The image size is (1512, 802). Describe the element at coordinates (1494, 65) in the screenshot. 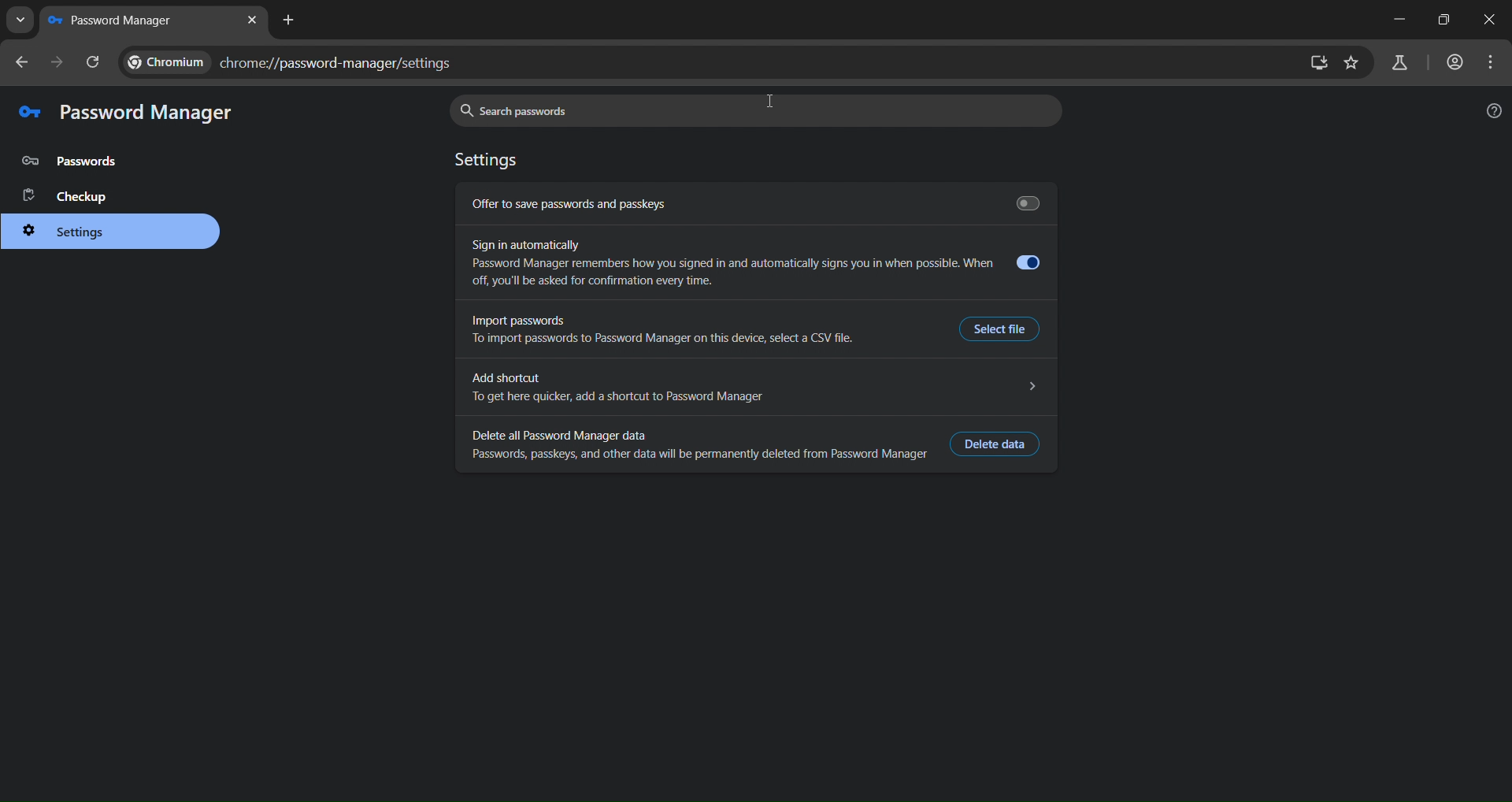

I see `menu` at that location.